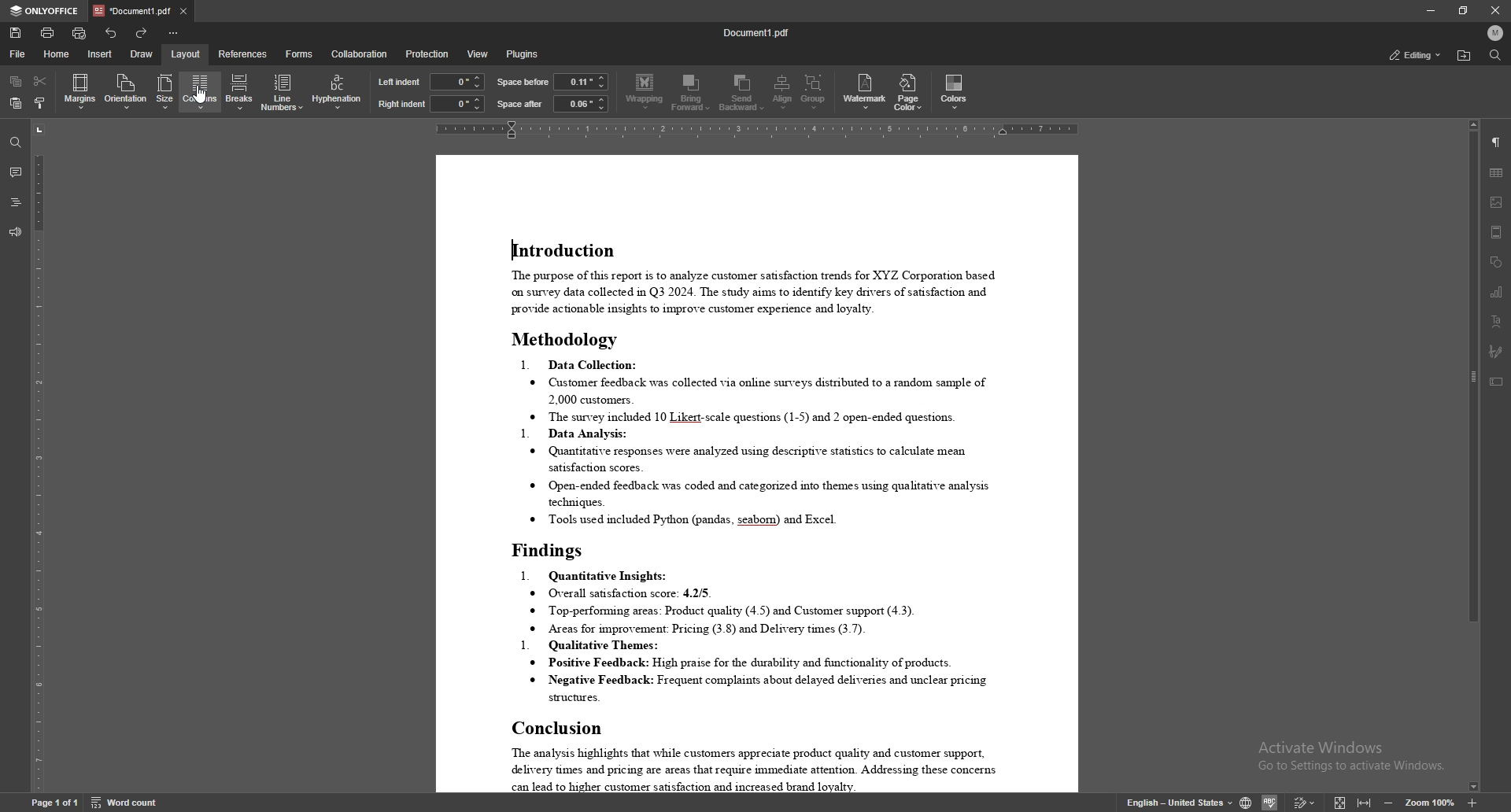 This screenshot has width=1511, height=812. I want to click on protection, so click(427, 53).